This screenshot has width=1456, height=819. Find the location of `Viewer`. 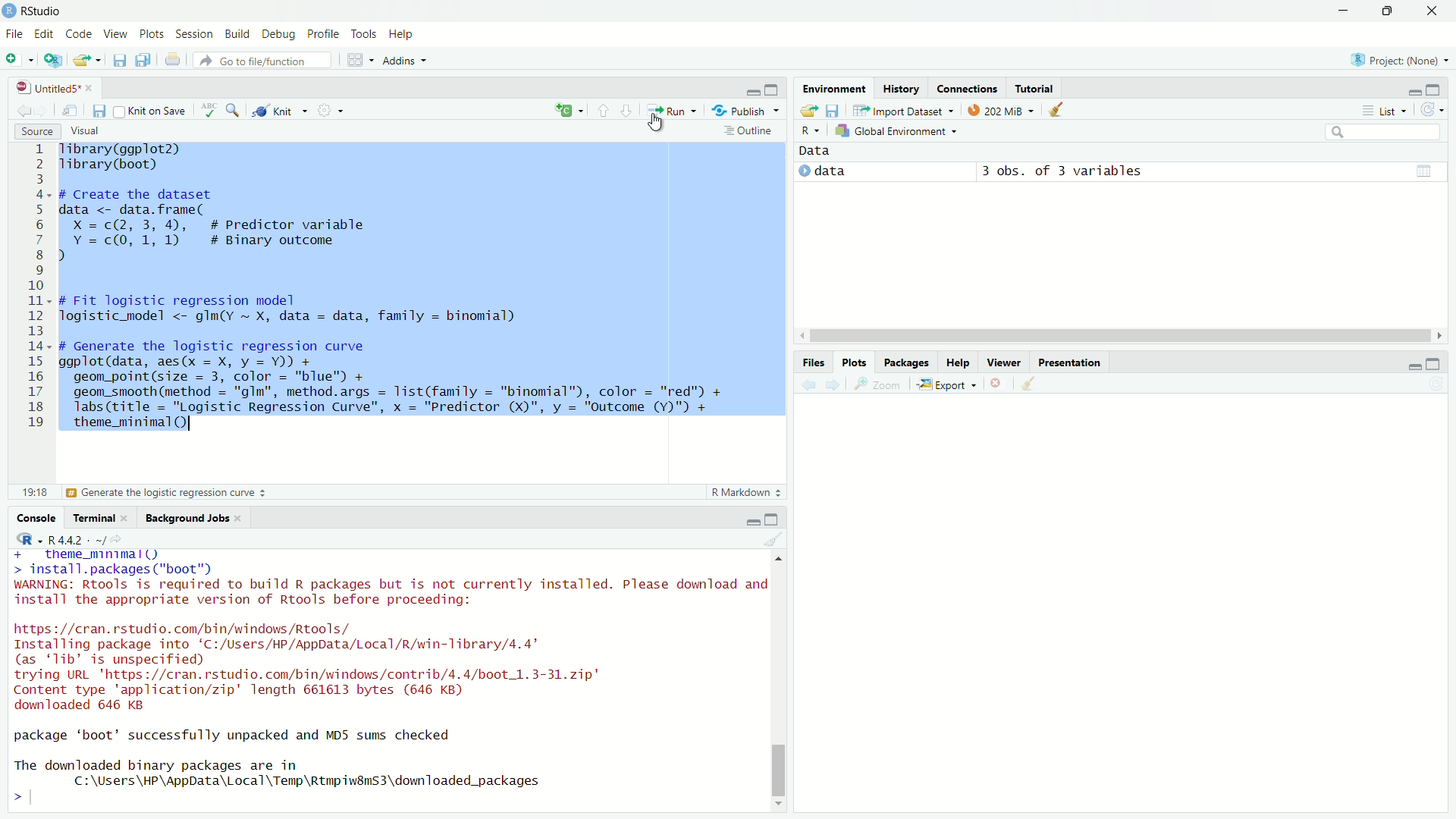

Viewer is located at coordinates (1004, 361).